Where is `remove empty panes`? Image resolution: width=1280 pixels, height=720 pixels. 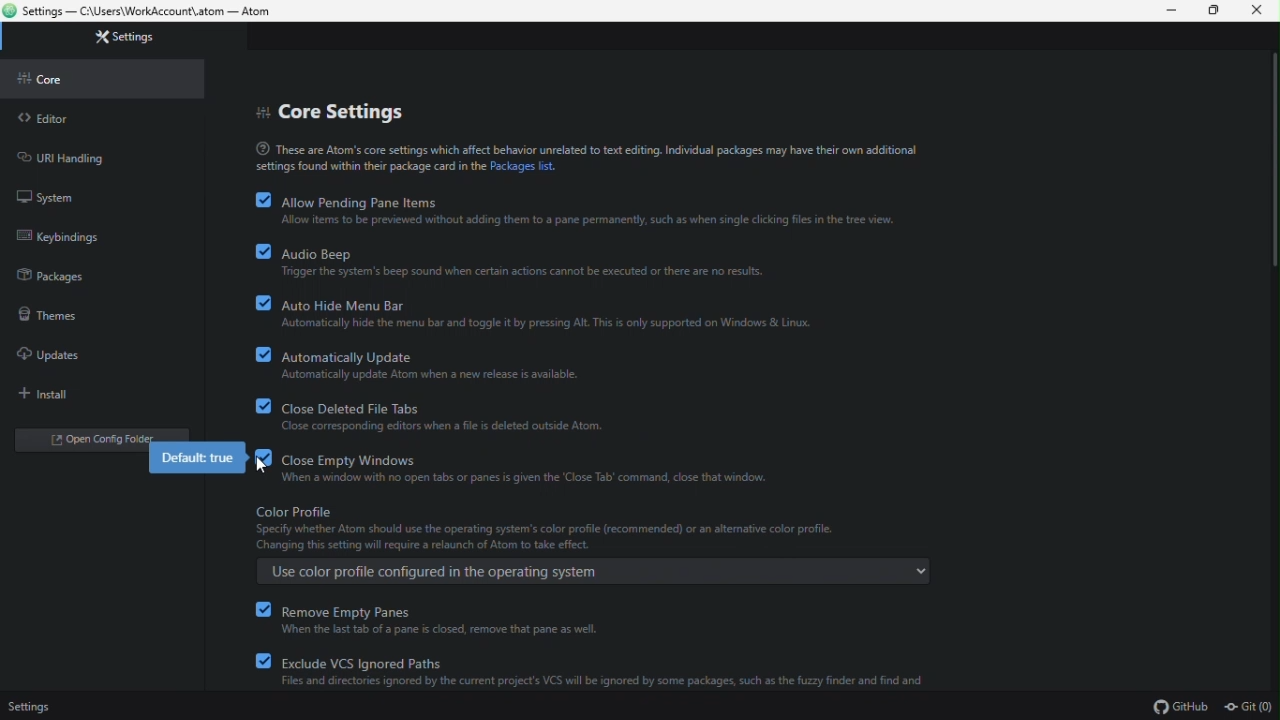 remove empty panes is located at coordinates (448, 620).